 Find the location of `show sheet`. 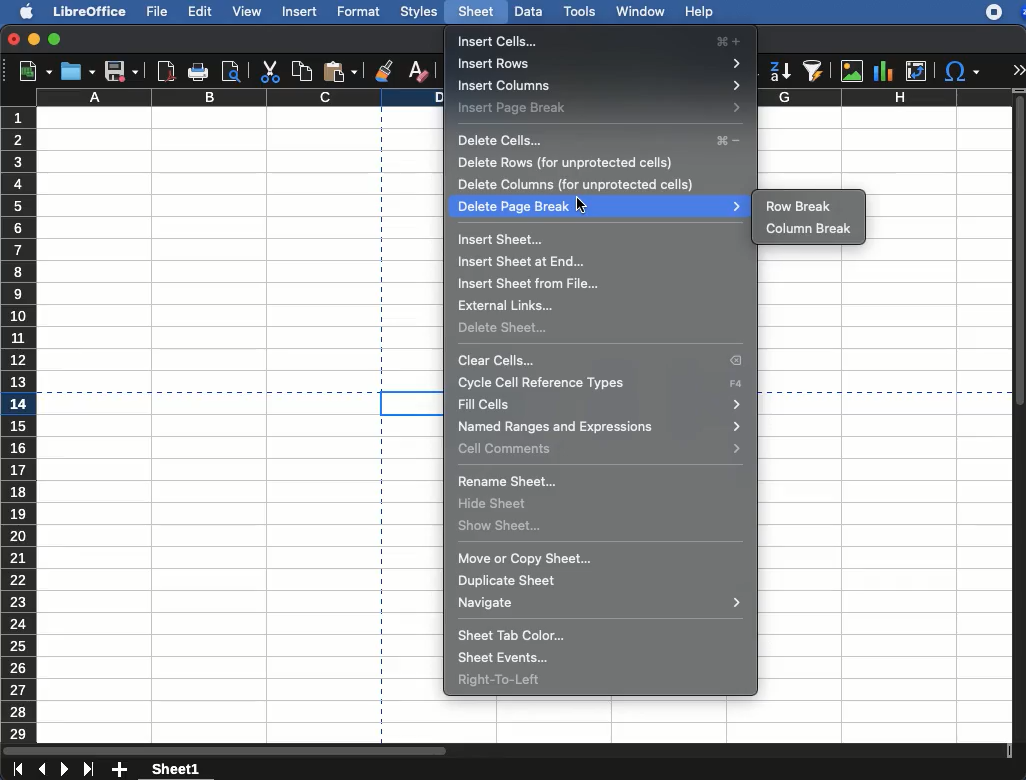

show sheet is located at coordinates (501, 526).